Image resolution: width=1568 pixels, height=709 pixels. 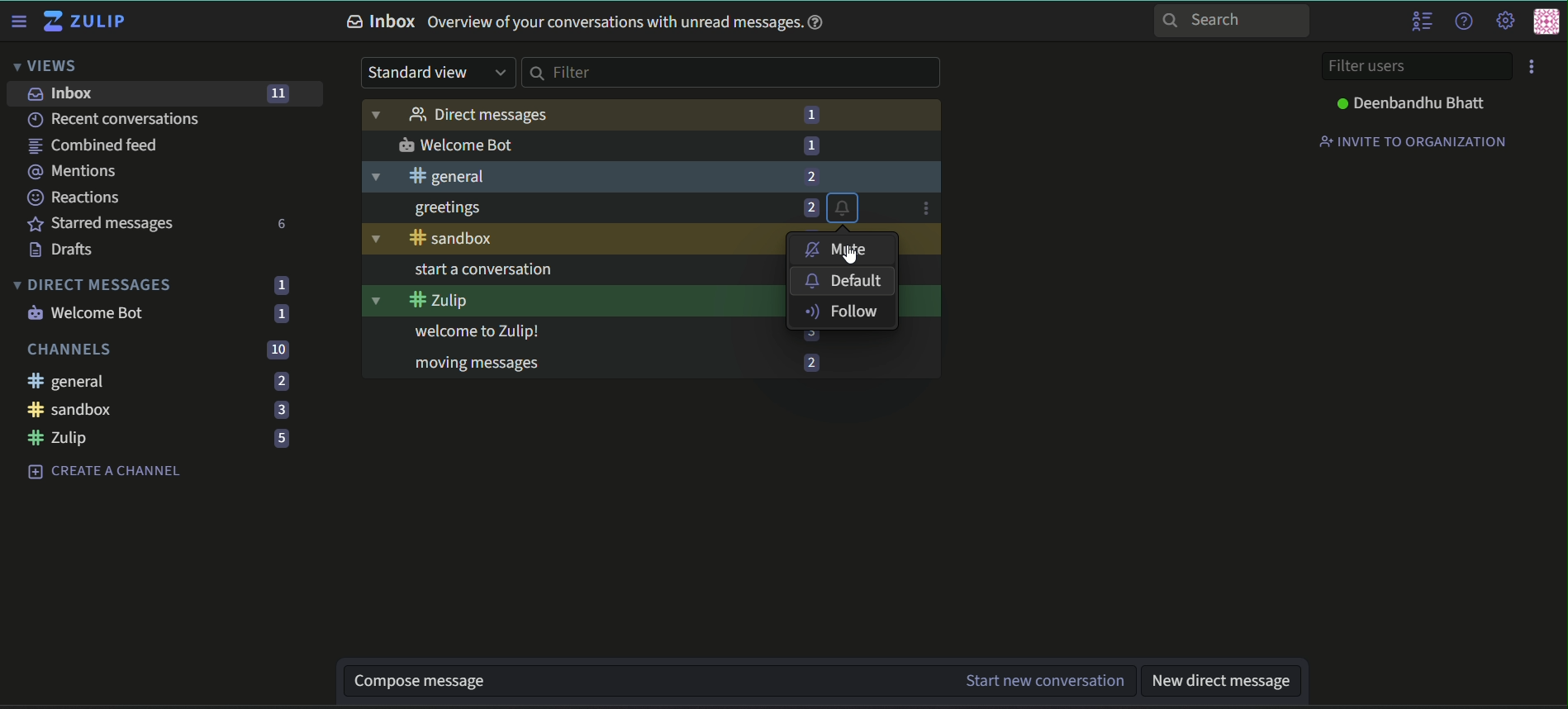 I want to click on Filter users, so click(x=1417, y=66).